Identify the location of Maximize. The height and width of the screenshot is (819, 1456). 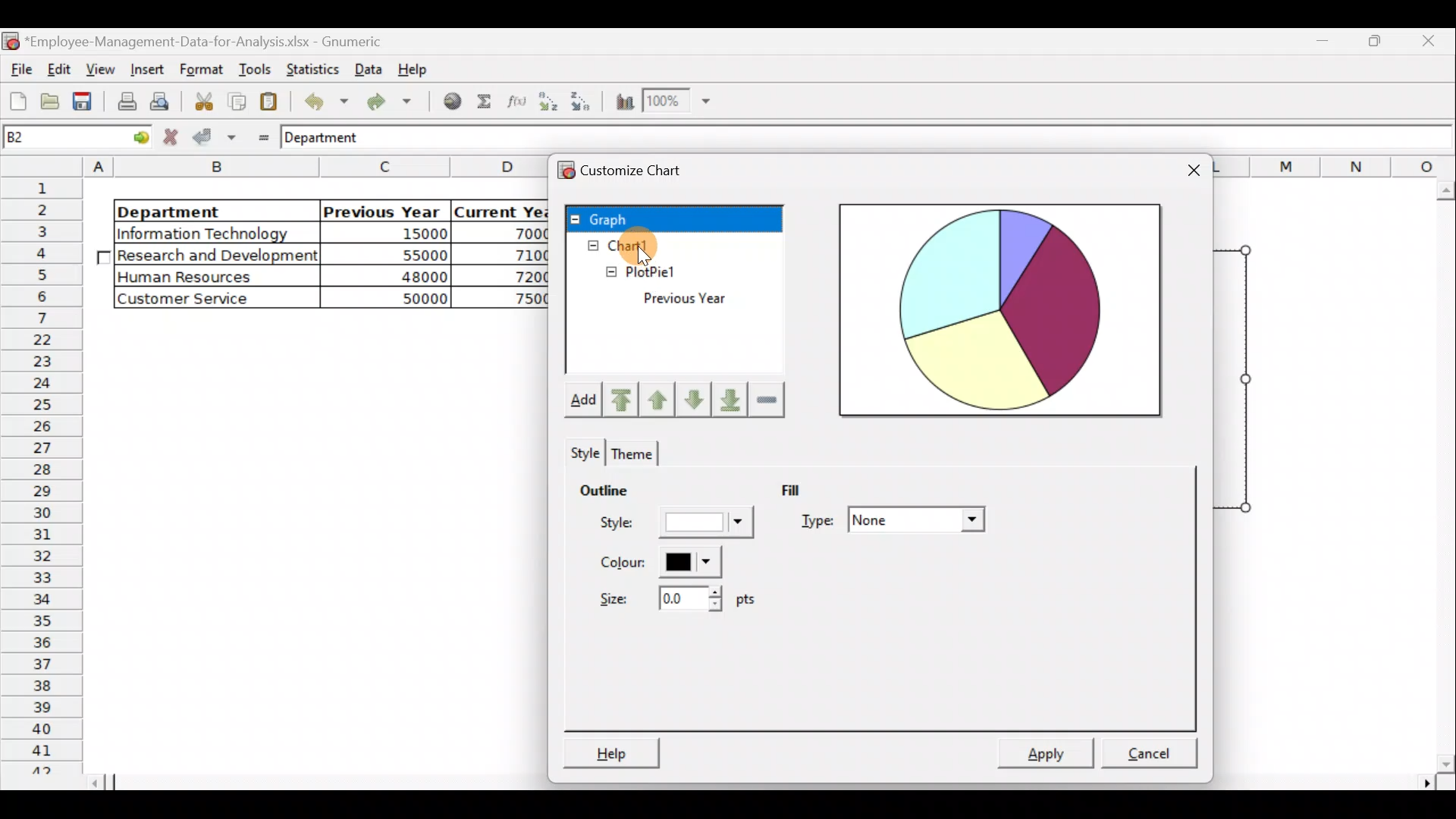
(1328, 43).